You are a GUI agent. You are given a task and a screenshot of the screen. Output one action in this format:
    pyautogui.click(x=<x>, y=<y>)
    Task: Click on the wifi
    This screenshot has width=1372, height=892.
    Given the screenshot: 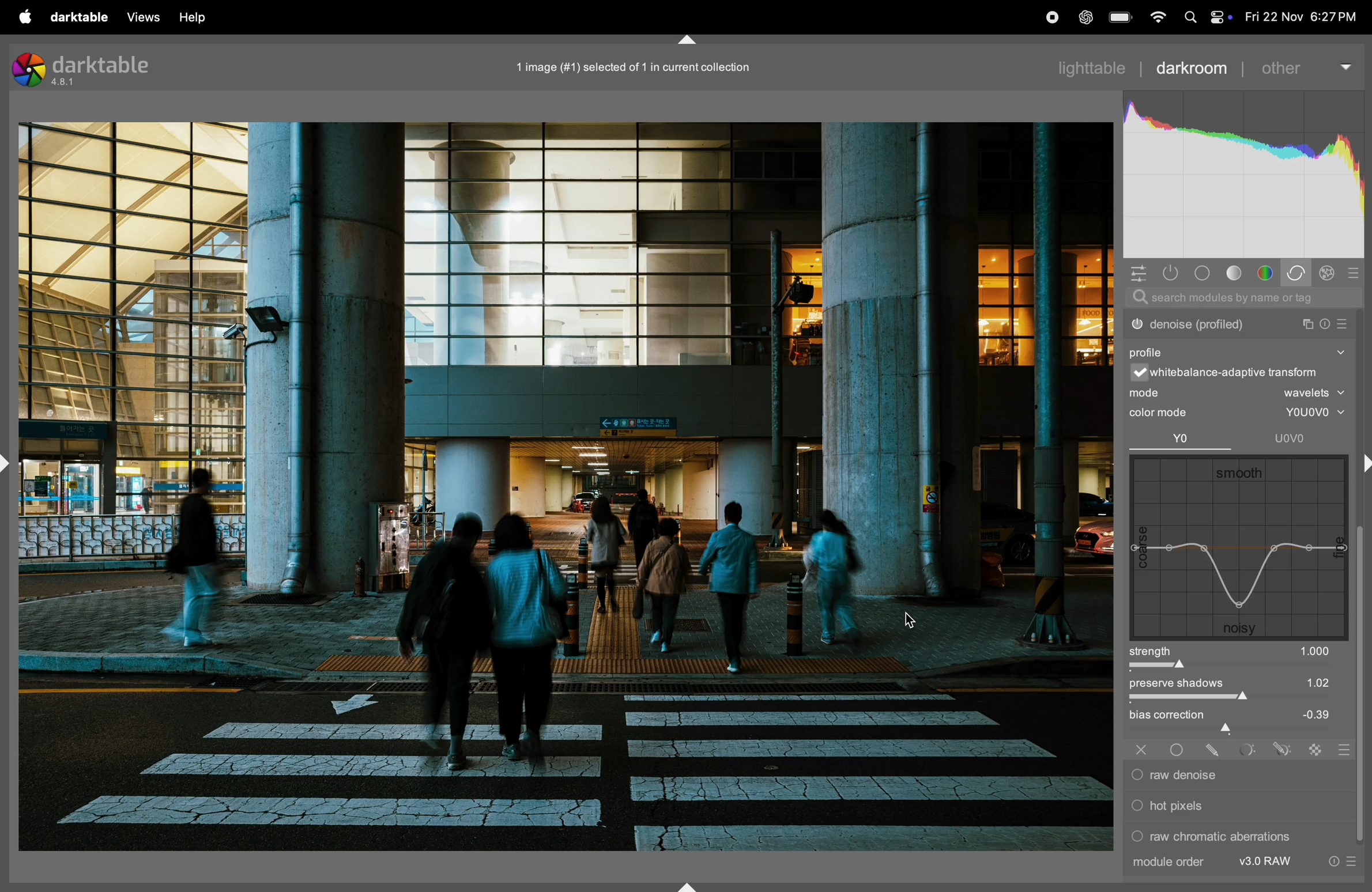 What is the action you would take?
    pyautogui.click(x=1157, y=18)
    